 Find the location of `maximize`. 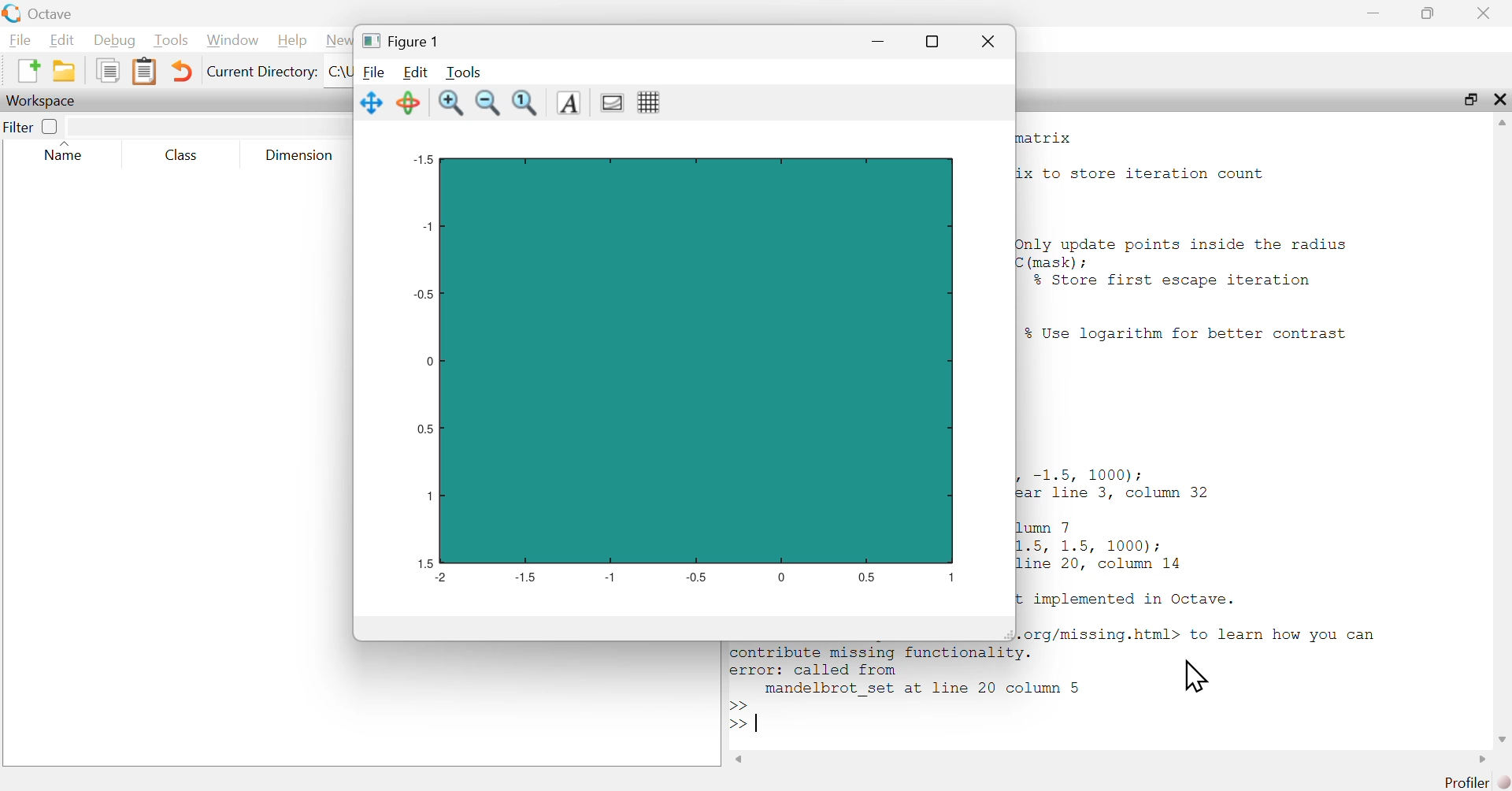

maximize is located at coordinates (1429, 13).